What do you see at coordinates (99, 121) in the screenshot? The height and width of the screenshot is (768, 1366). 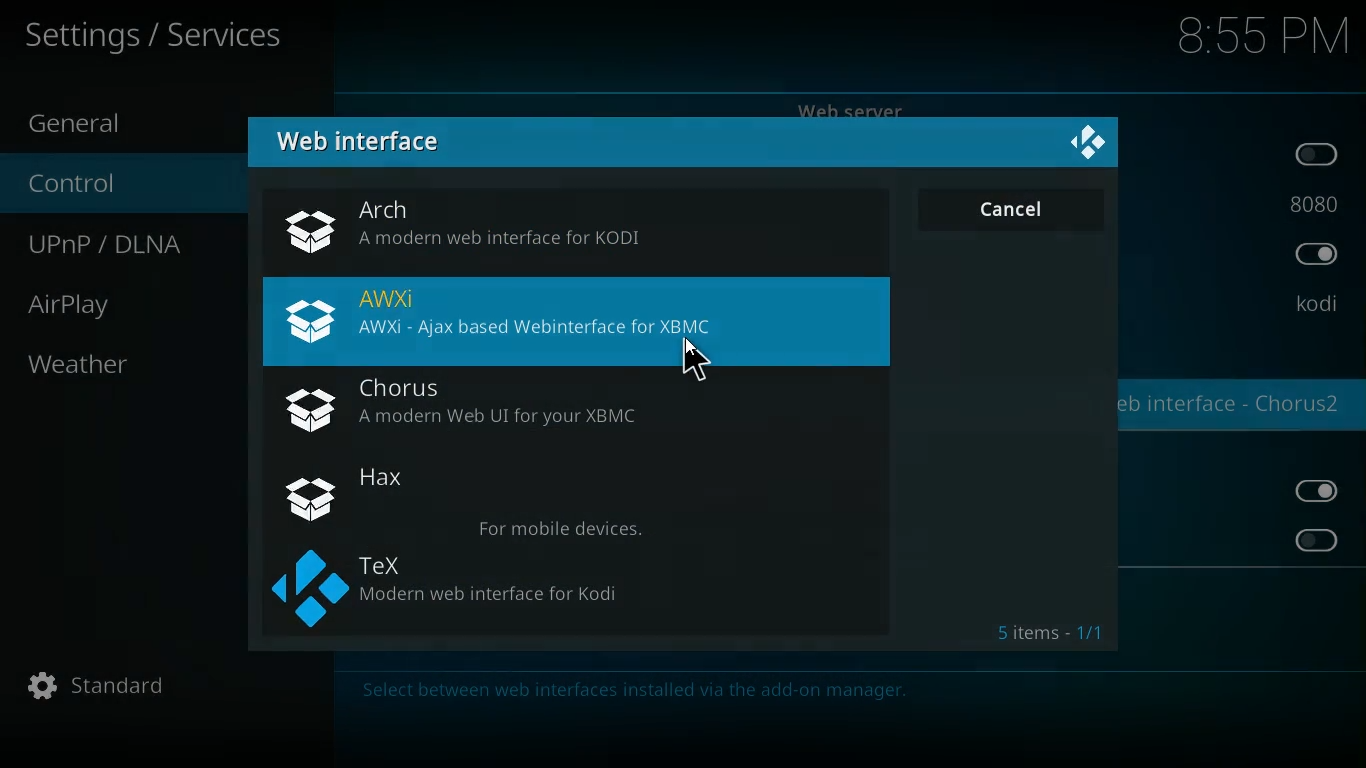 I see `General` at bounding box center [99, 121].